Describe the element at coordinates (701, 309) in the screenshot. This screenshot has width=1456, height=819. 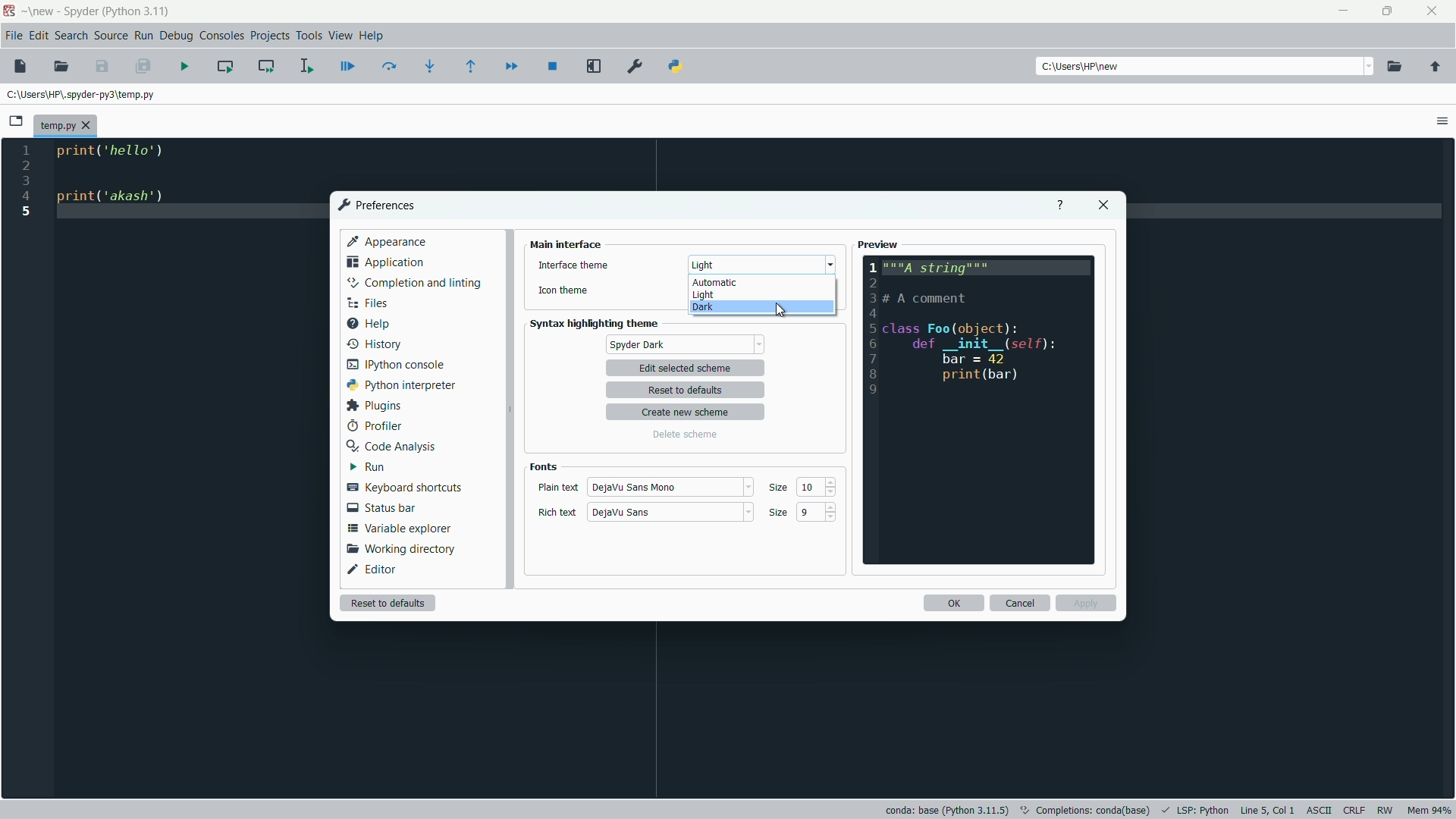
I see `dark` at that location.